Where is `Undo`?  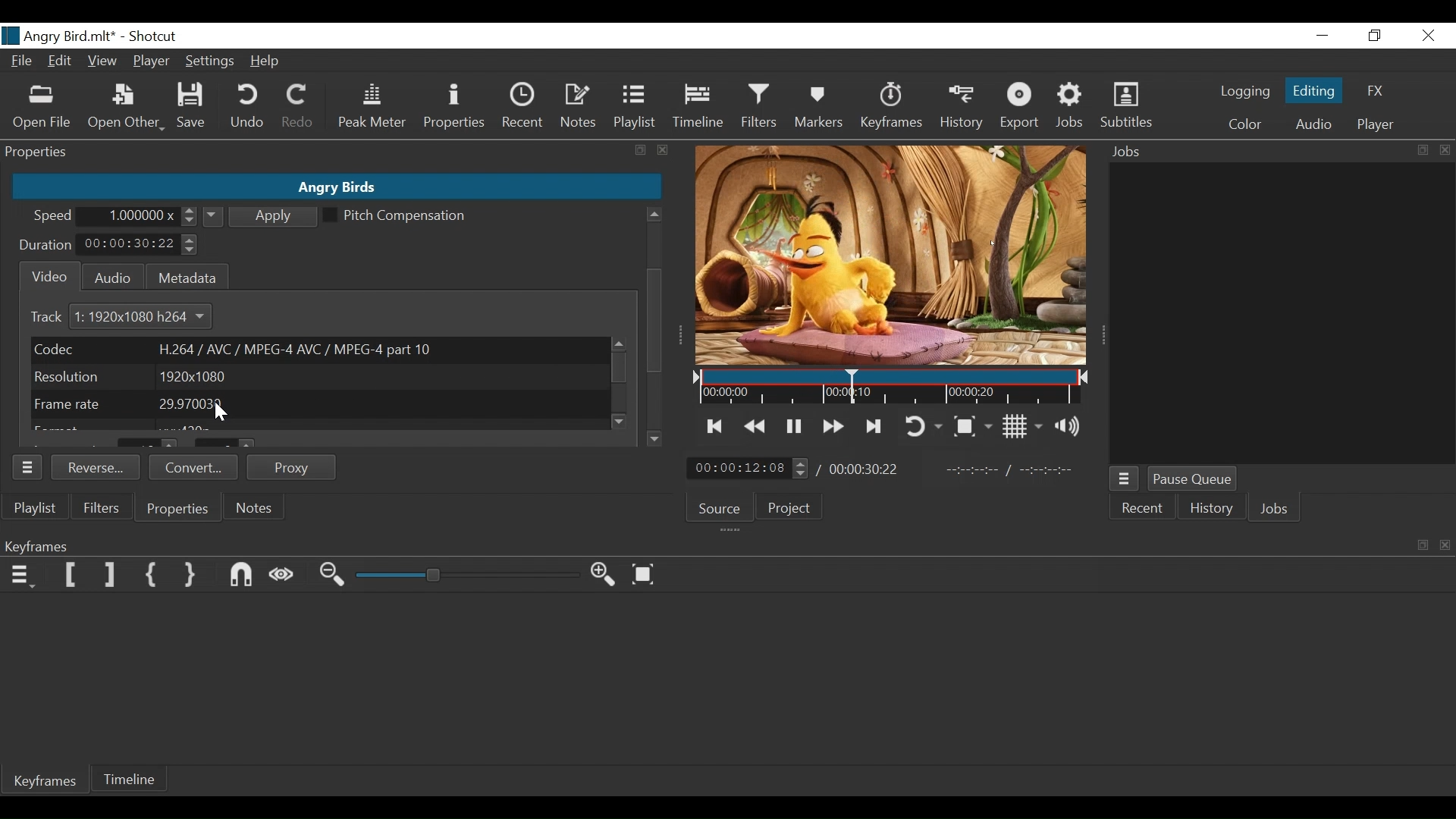
Undo is located at coordinates (249, 108).